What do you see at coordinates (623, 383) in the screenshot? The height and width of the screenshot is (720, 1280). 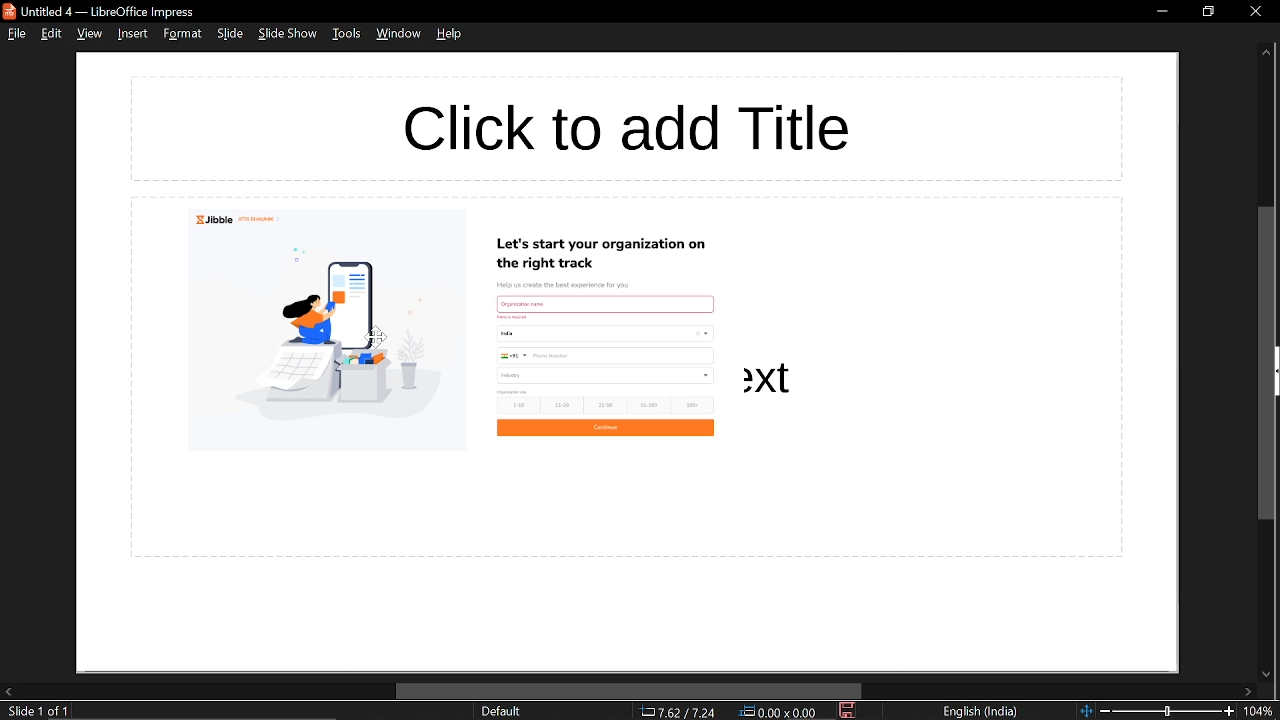 I see `Image` at bounding box center [623, 383].